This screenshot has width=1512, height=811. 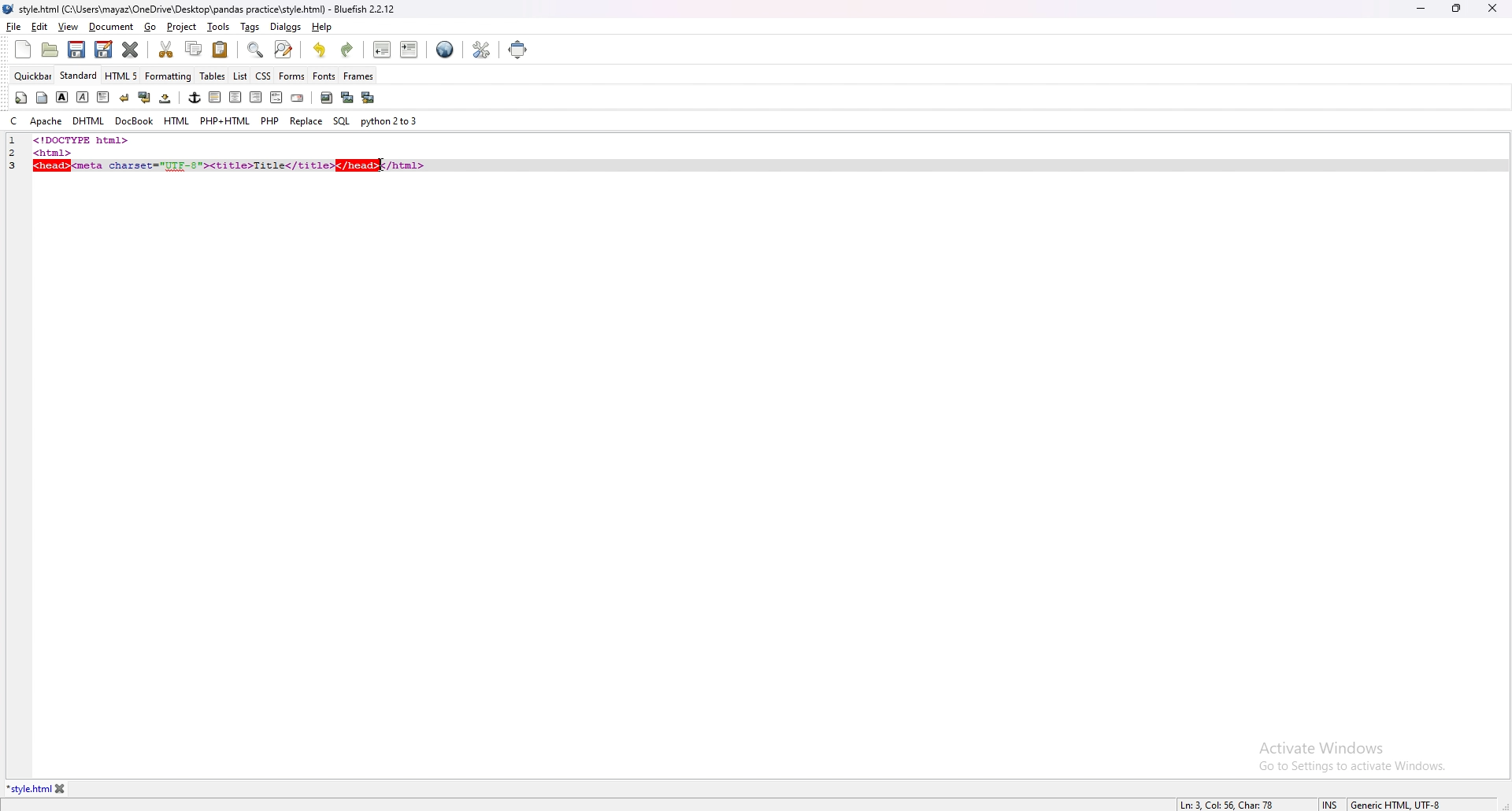 I want to click on edit, so click(x=40, y=27).